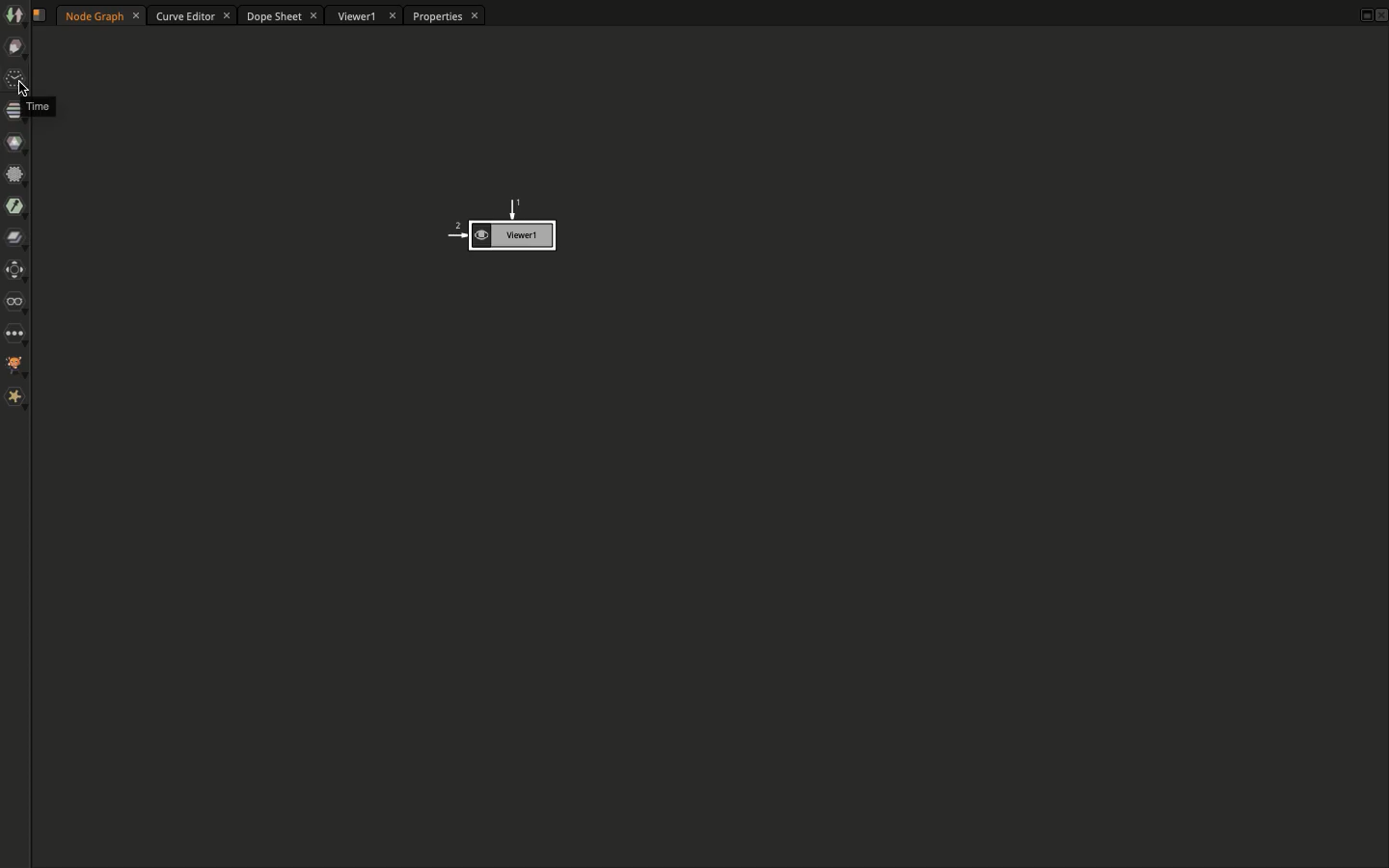 This screenshot has width=1389, height=868. I want to click on Maximize, so click(1362, 14).